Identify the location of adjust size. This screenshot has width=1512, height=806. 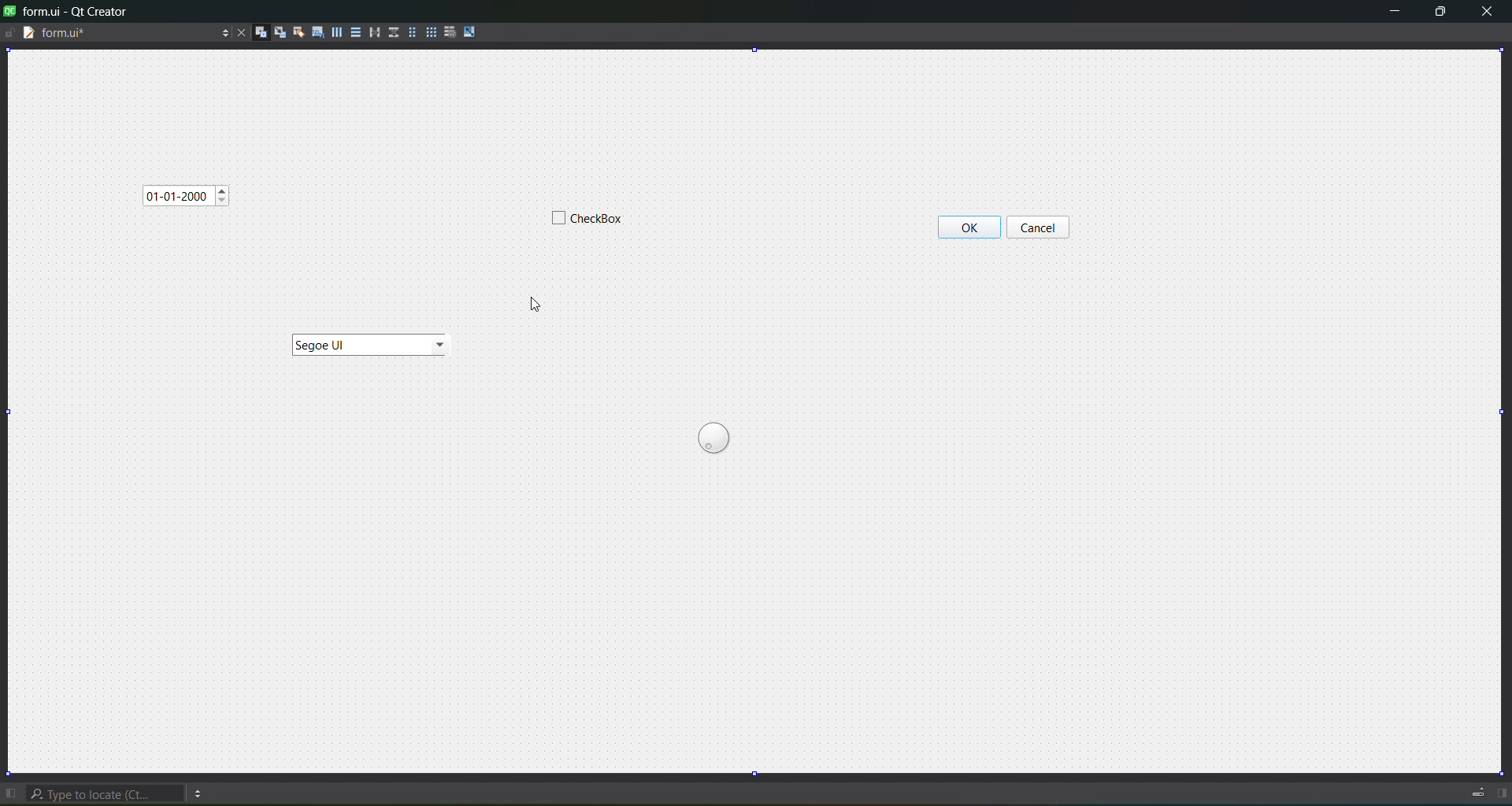
(474, 31).